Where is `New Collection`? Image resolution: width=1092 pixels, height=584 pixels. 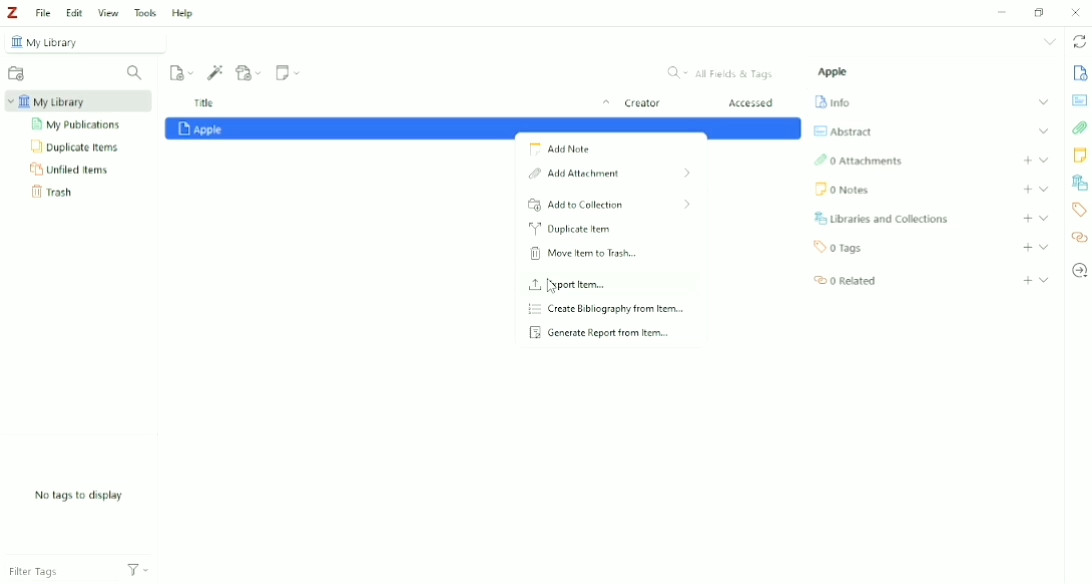
New Collection is located at coordinates (15, 73).